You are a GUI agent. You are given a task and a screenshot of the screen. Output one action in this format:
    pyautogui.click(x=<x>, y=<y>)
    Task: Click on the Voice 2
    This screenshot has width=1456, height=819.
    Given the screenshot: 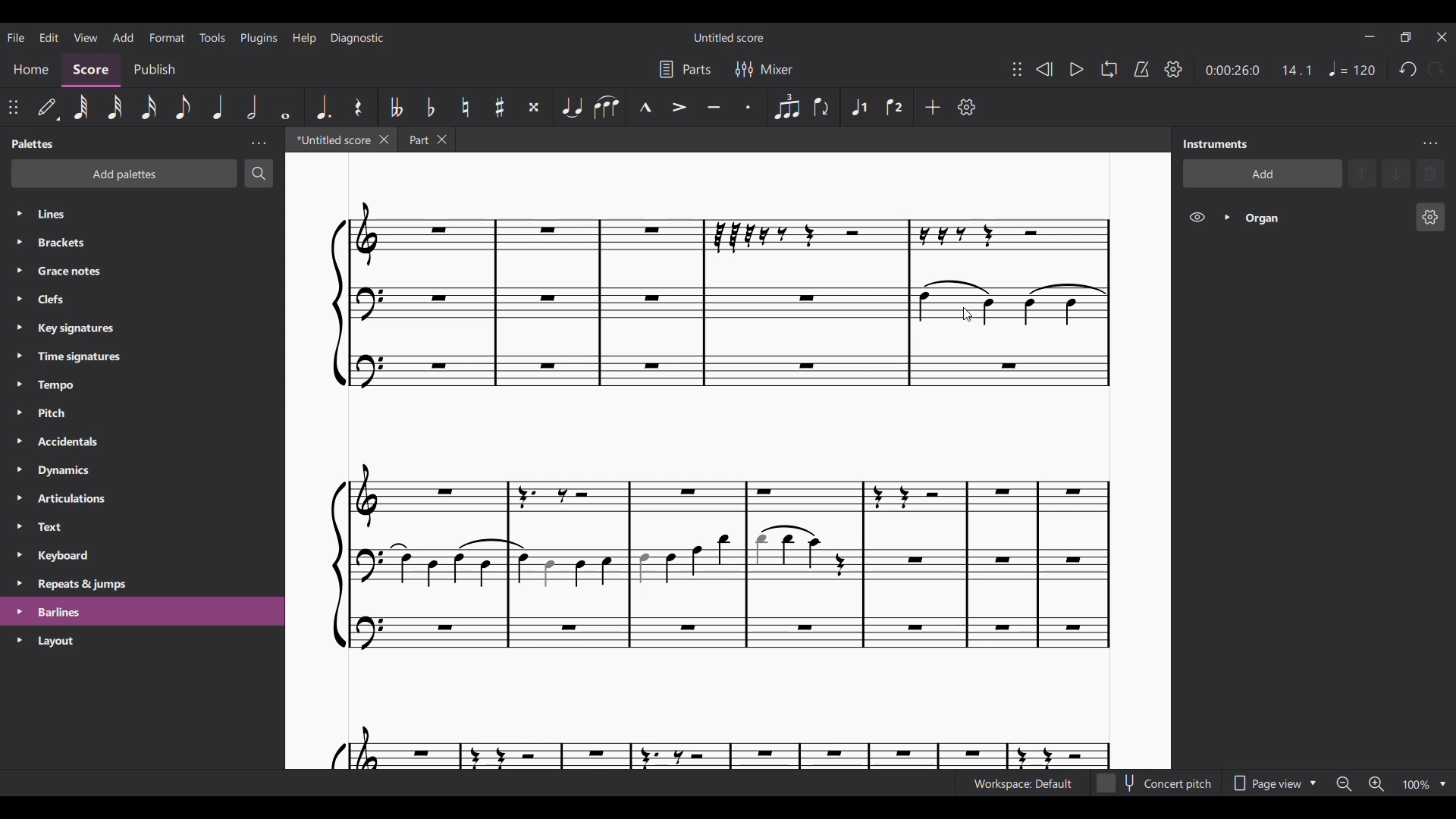 What is the action you would take?
    pyautogui.click(x=893, y=107)
    